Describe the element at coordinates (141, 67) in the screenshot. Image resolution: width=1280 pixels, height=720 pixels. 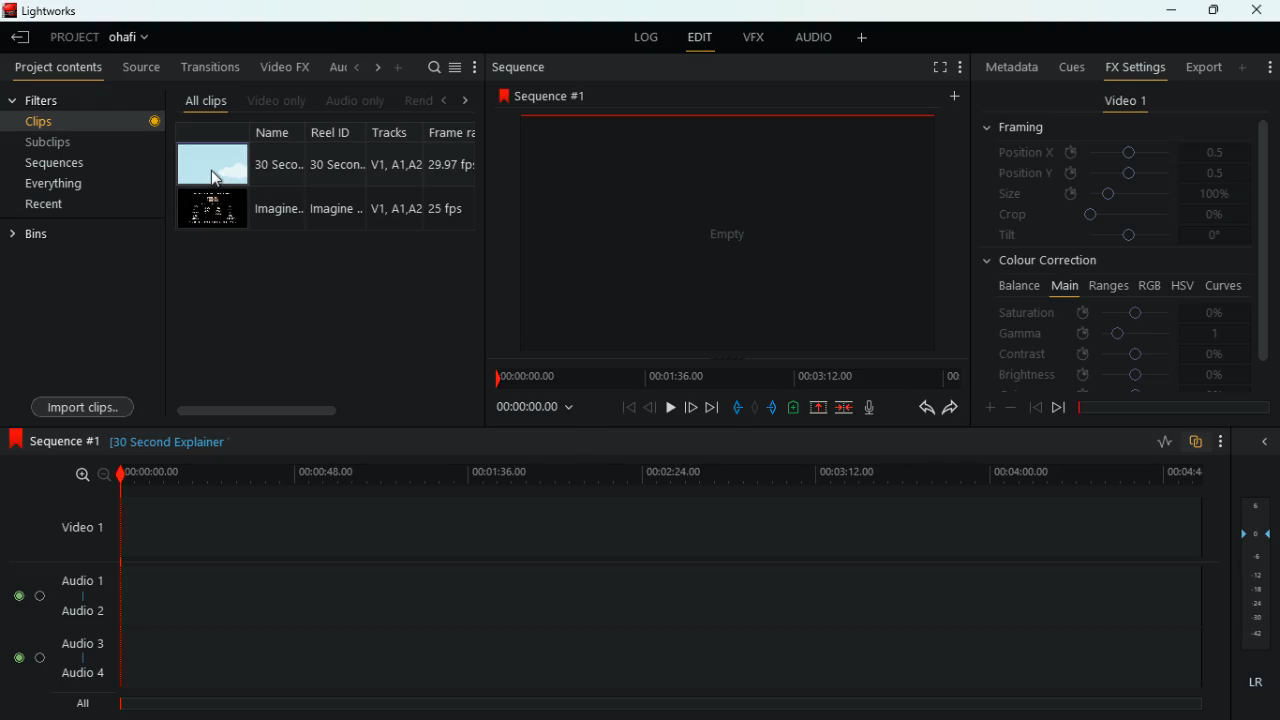
I see `source` at that location.